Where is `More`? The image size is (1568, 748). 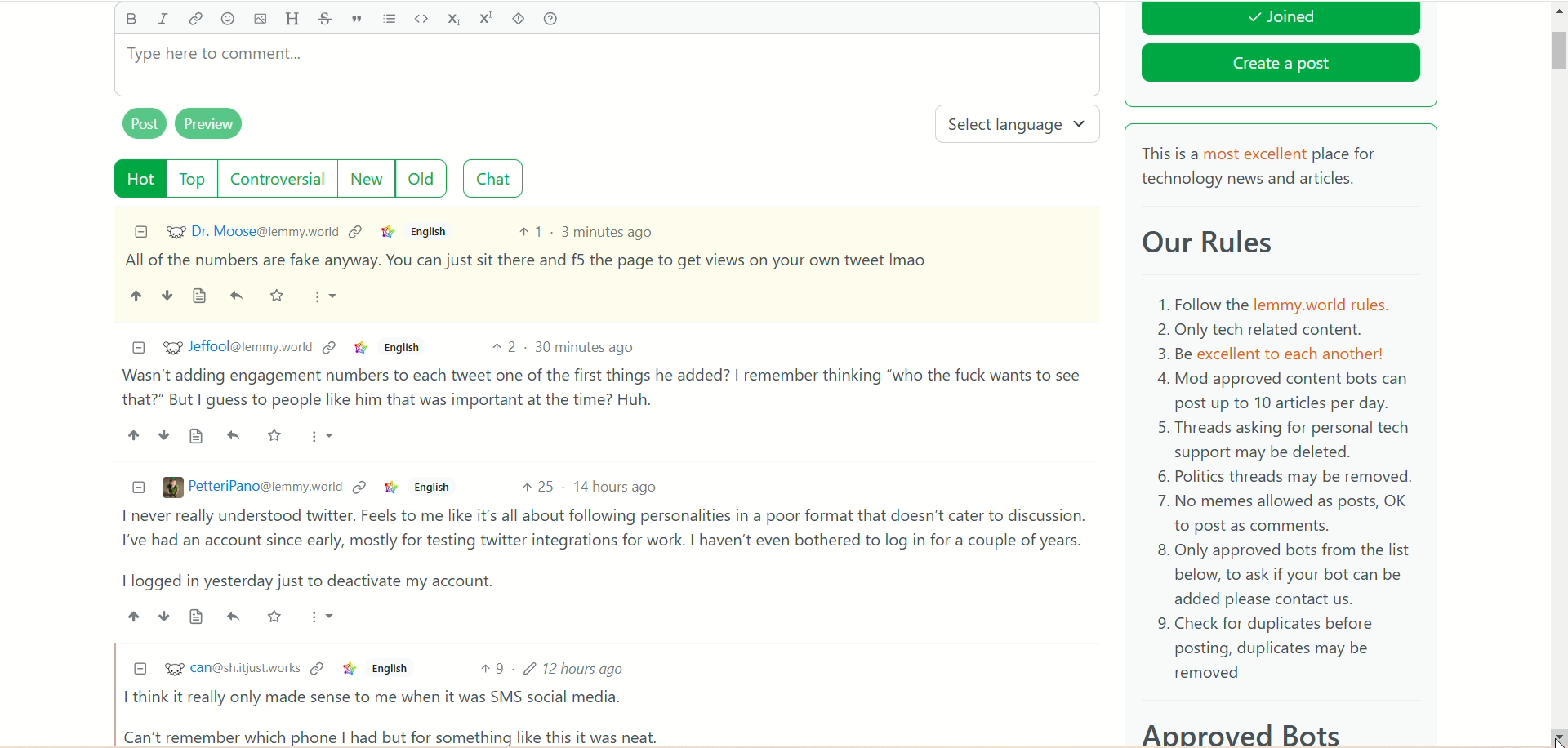
More is located at coordinates (327, 297).